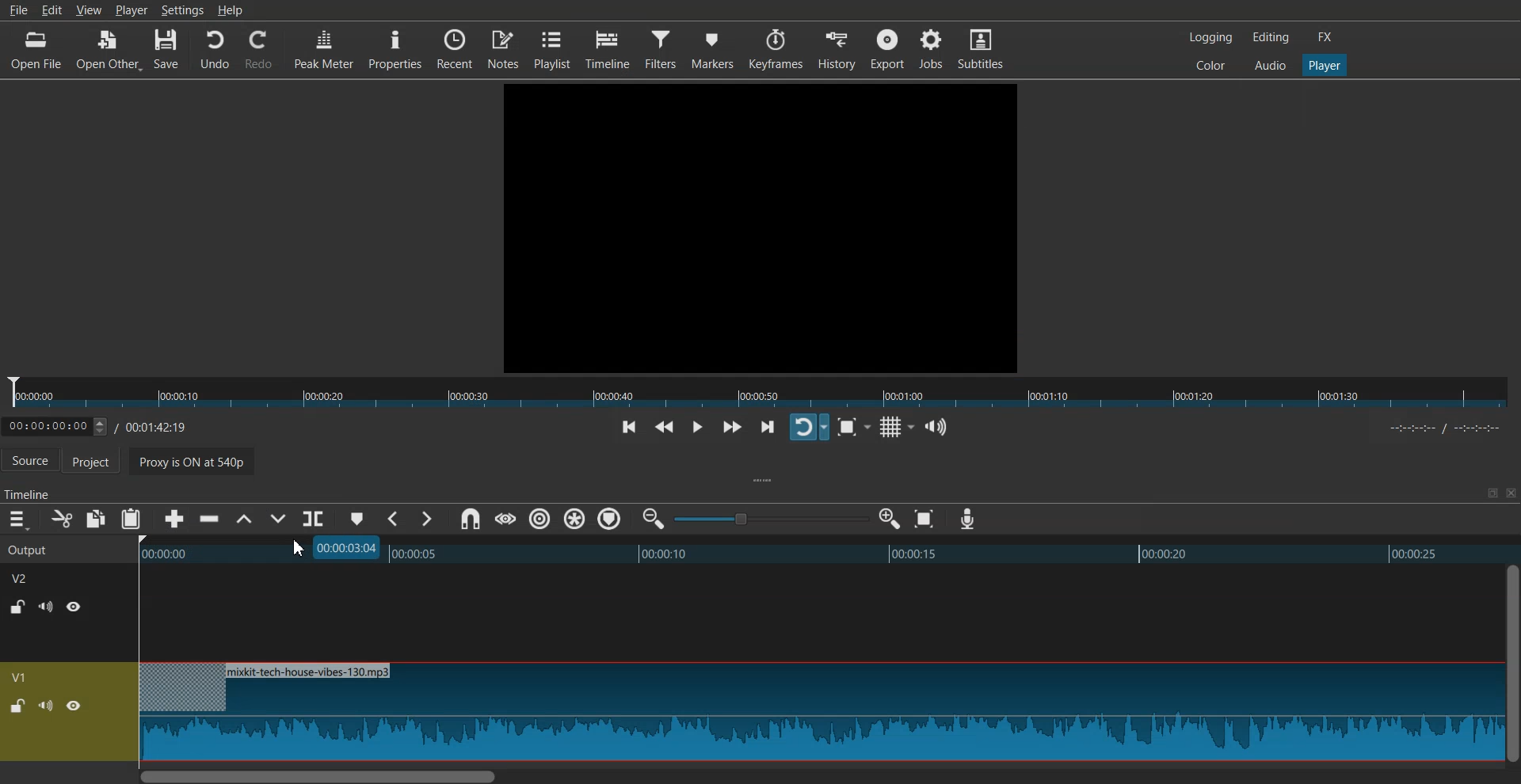  What do you see at coordinates (202, 464) in the screenshot?
I see `Proxy is ON at 540p` at bounding box center [202, 464].